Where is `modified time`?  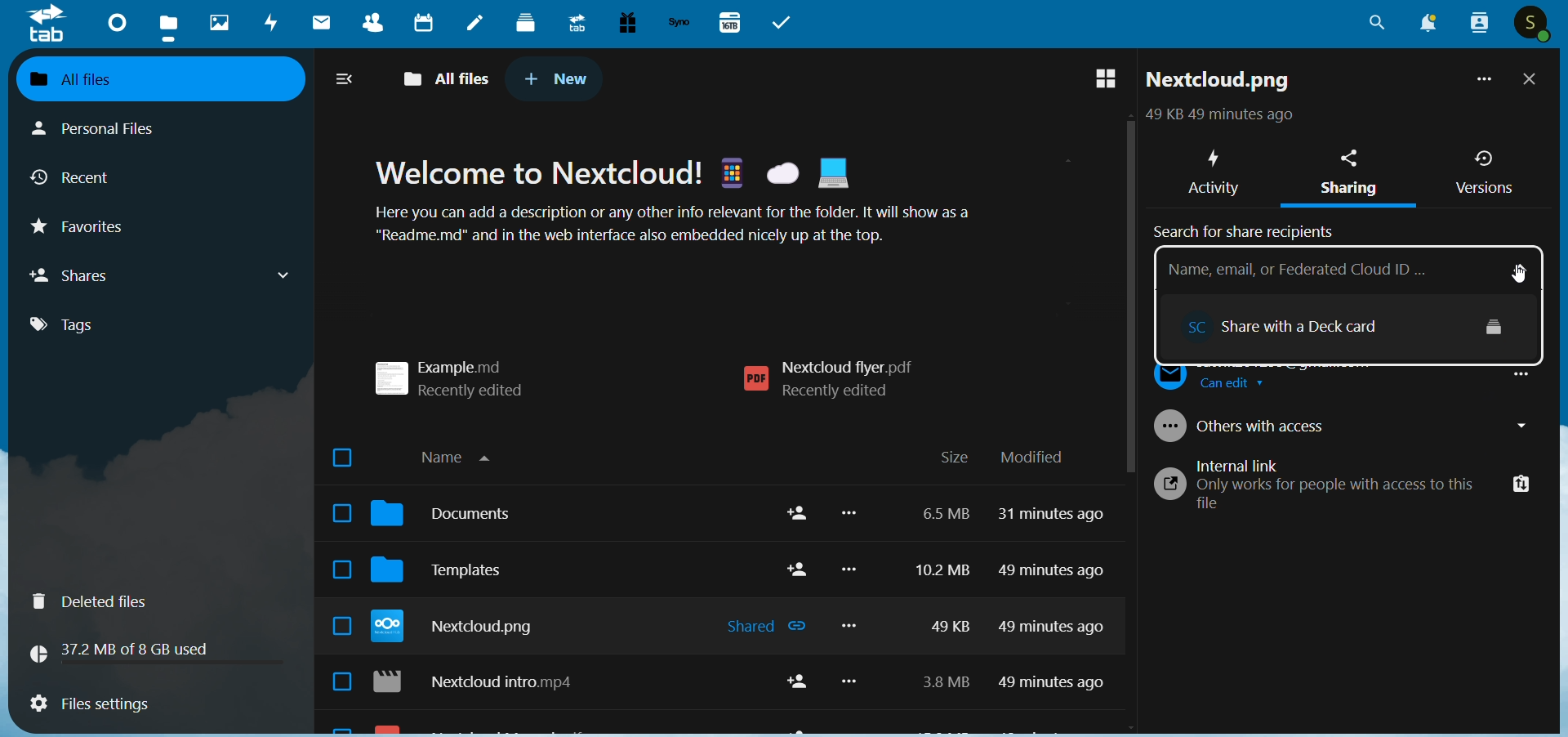 modified time is located at coordinates (1056, 606).